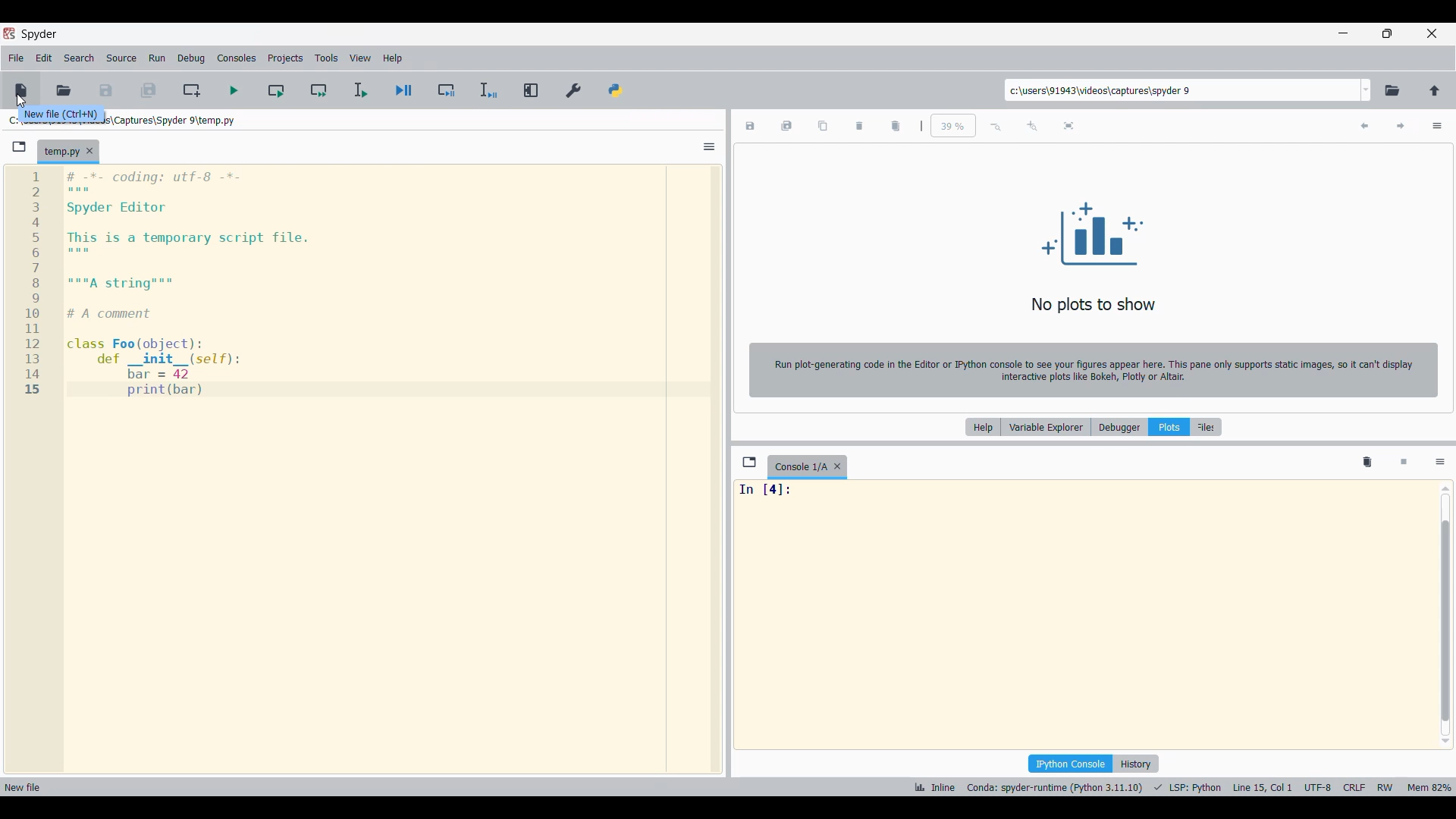 Image resolution: width=1456 pixels, height=819 pixels. Describe the element at coordinates (1445, 614) in the screenshot. I see `Vertical slide bar` at that location.